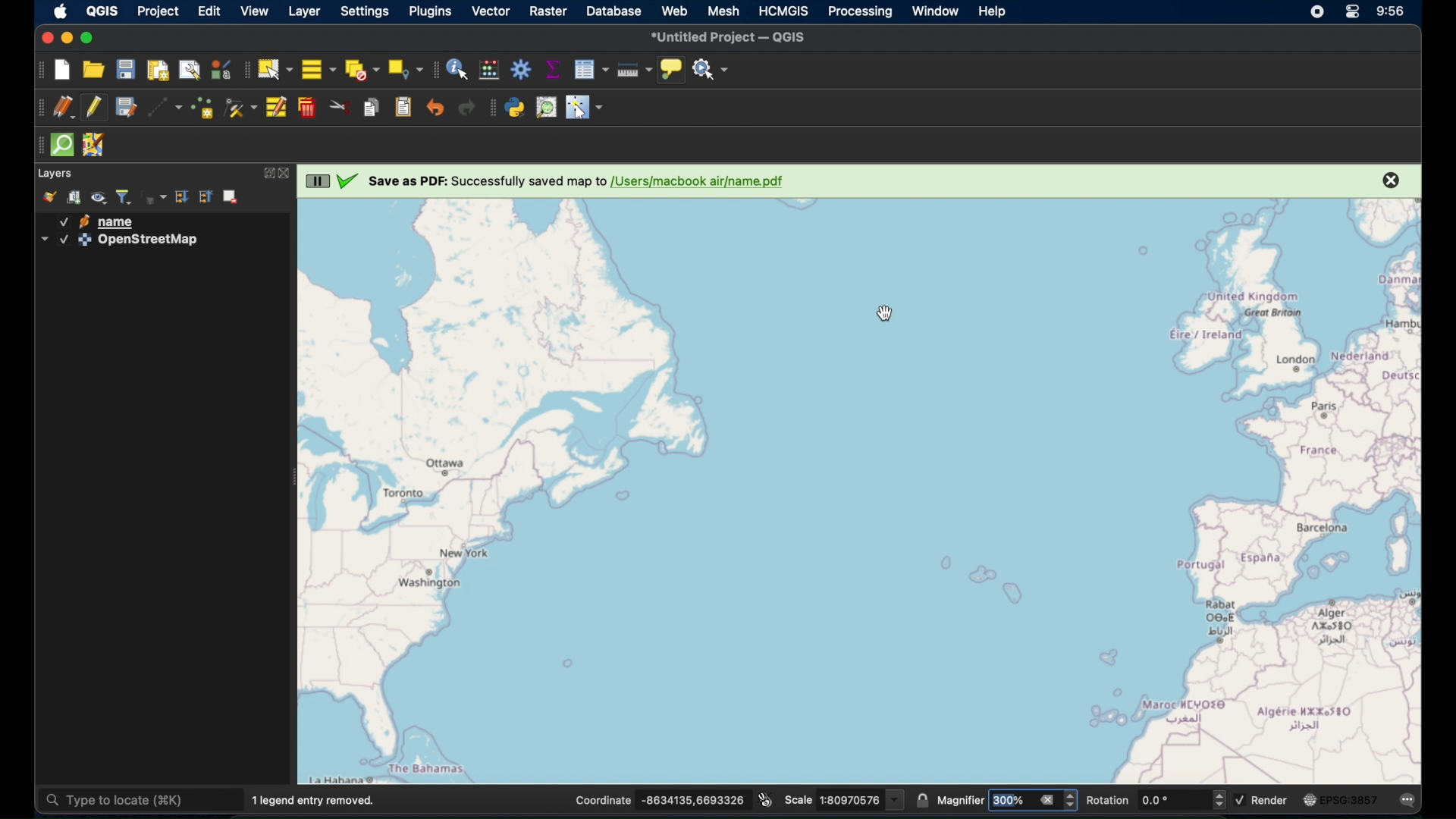  What do you see at coordinates (521, 69) in the screenshot?
I see `toolbox` at bounding box center [521, 69].